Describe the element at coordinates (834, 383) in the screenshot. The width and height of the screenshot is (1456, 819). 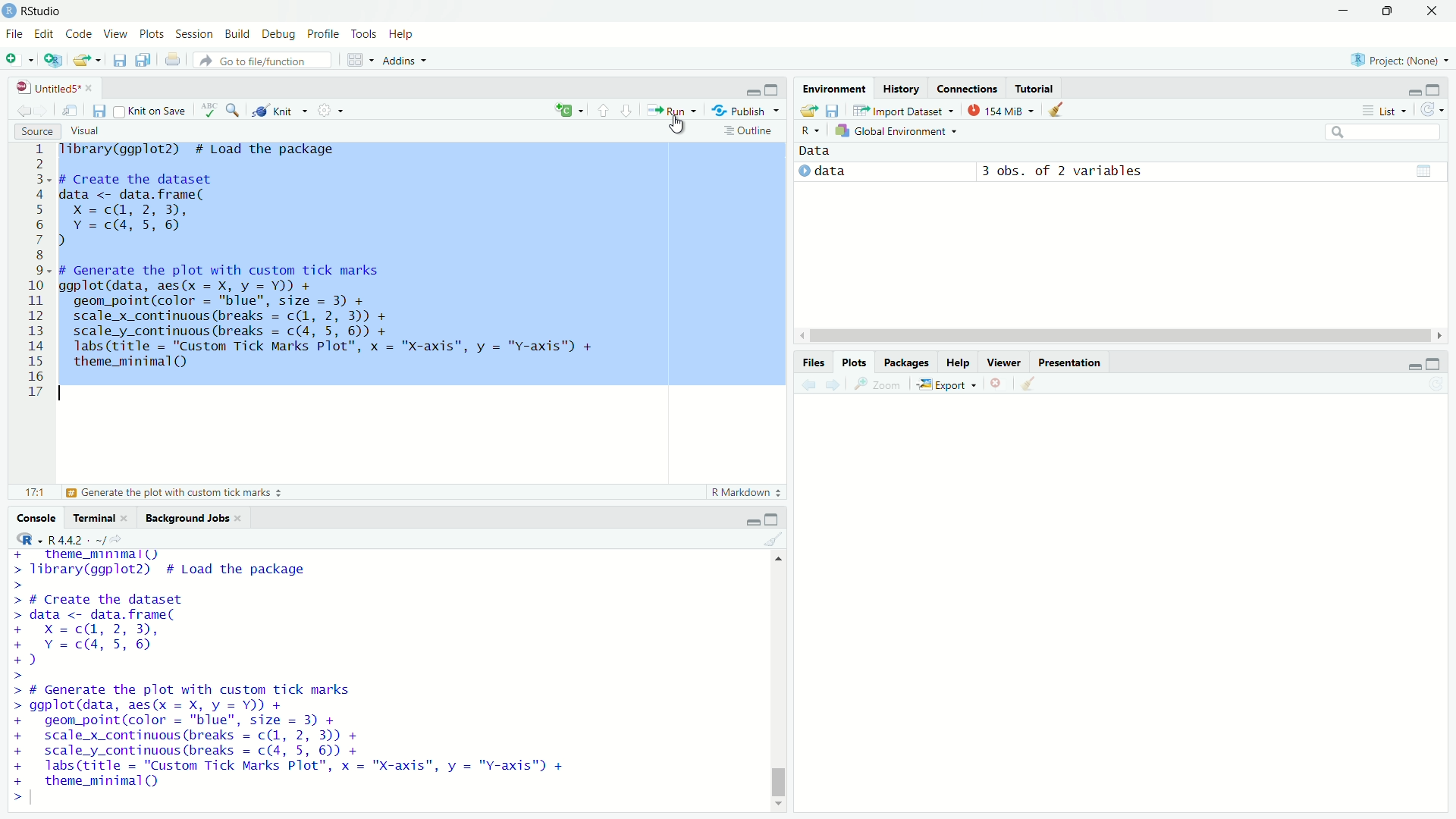
I see `next plot` at that location.